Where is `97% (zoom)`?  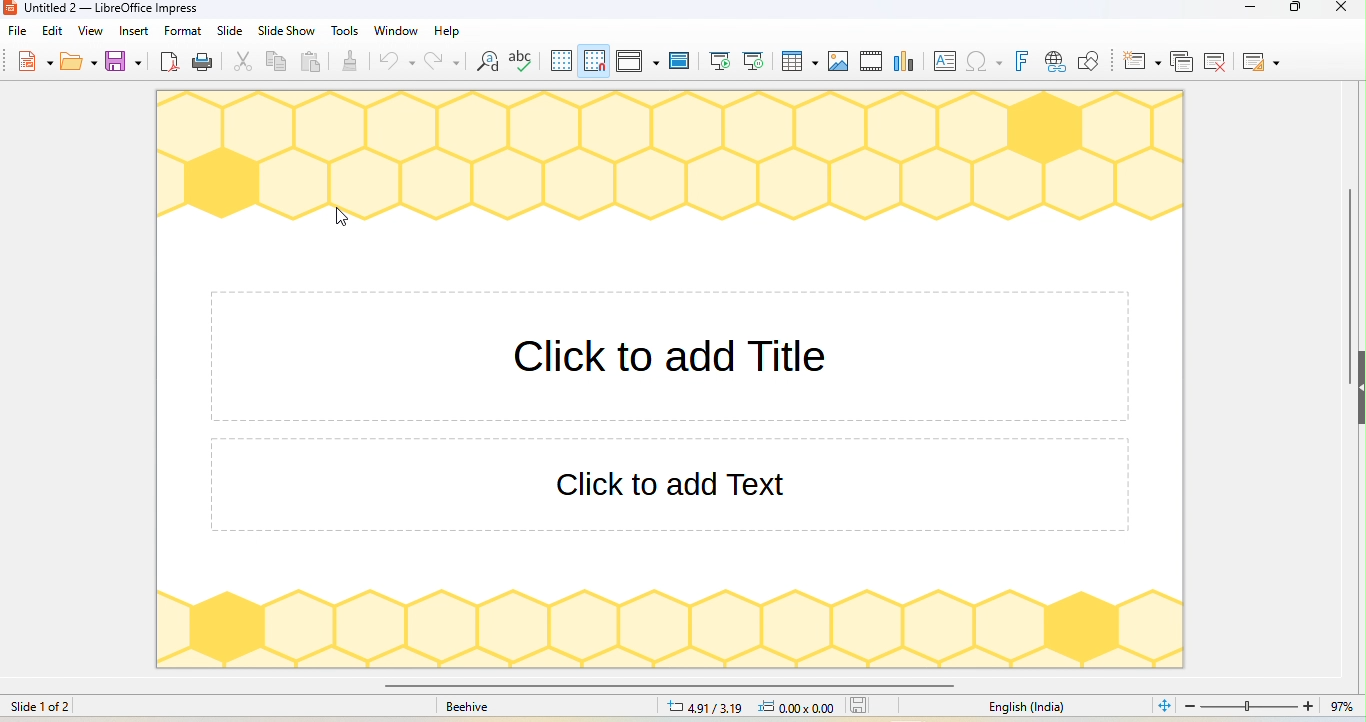 97% (zoom) is located at coordinates (1267, 707).